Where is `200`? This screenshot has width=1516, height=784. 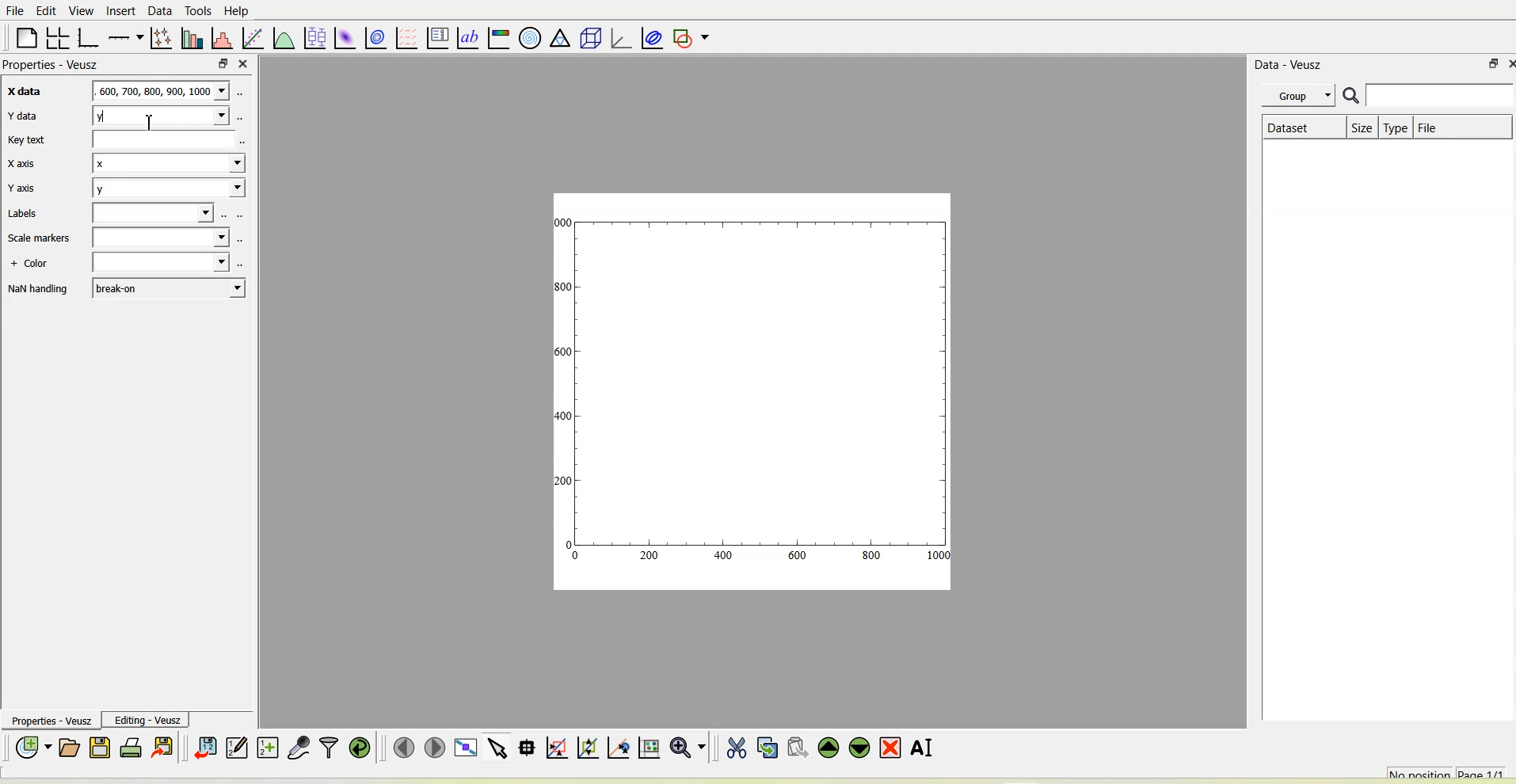 200 is located at coordinates (649, 557).